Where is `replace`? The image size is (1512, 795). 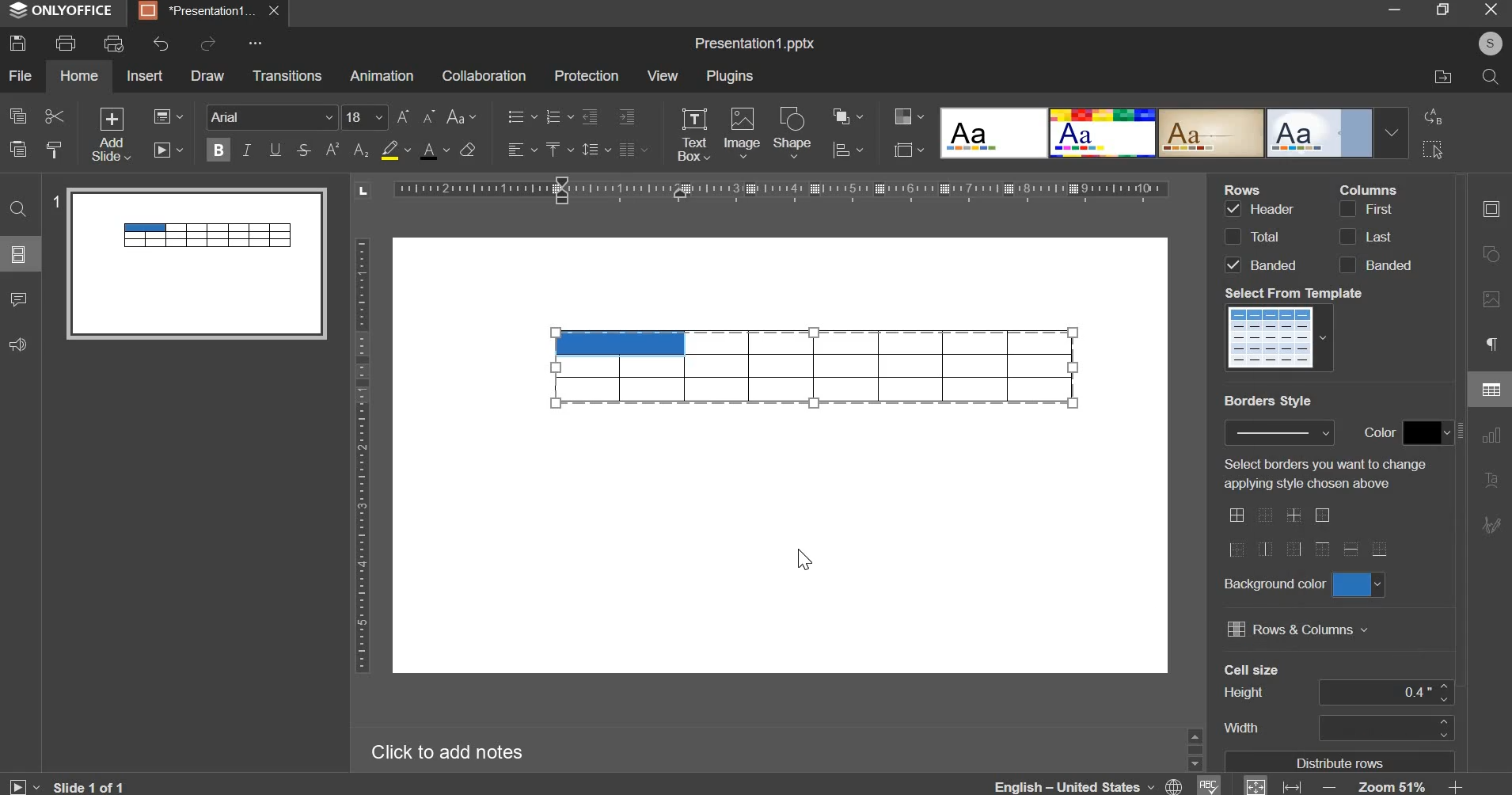 replace is located at coordinates (1430, 116).